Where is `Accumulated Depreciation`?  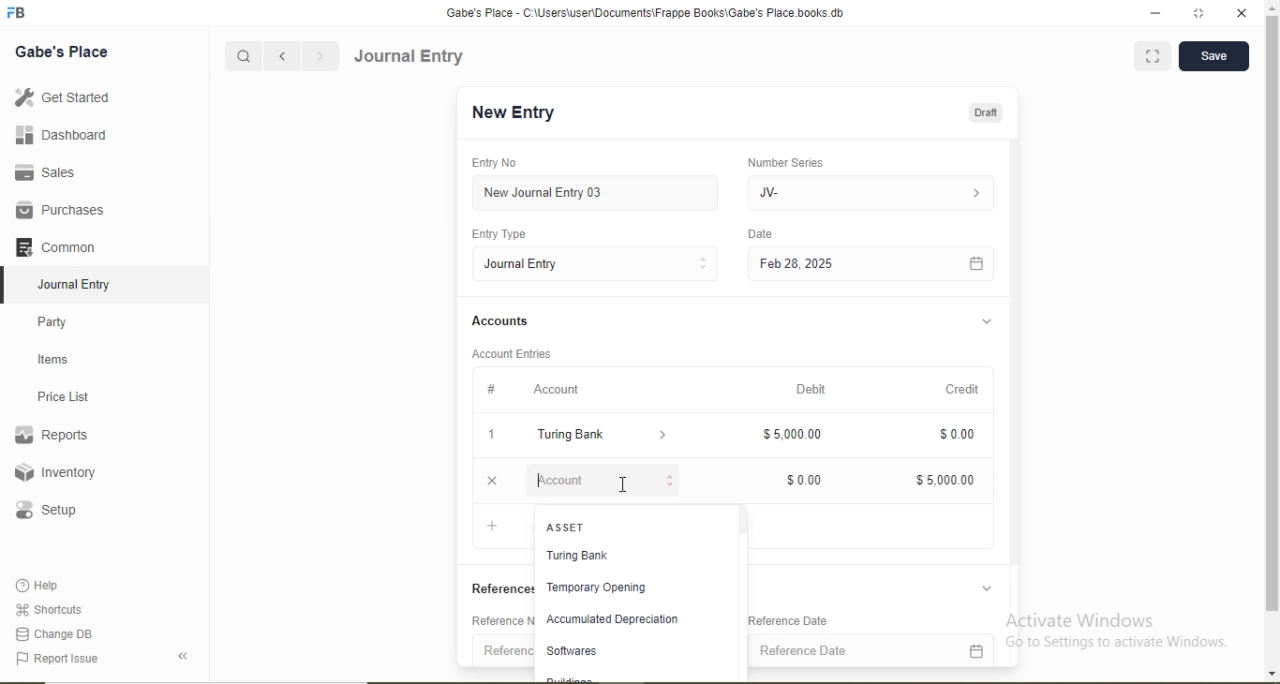
Accumulated Depreciation is located at coordinates (613, 621).